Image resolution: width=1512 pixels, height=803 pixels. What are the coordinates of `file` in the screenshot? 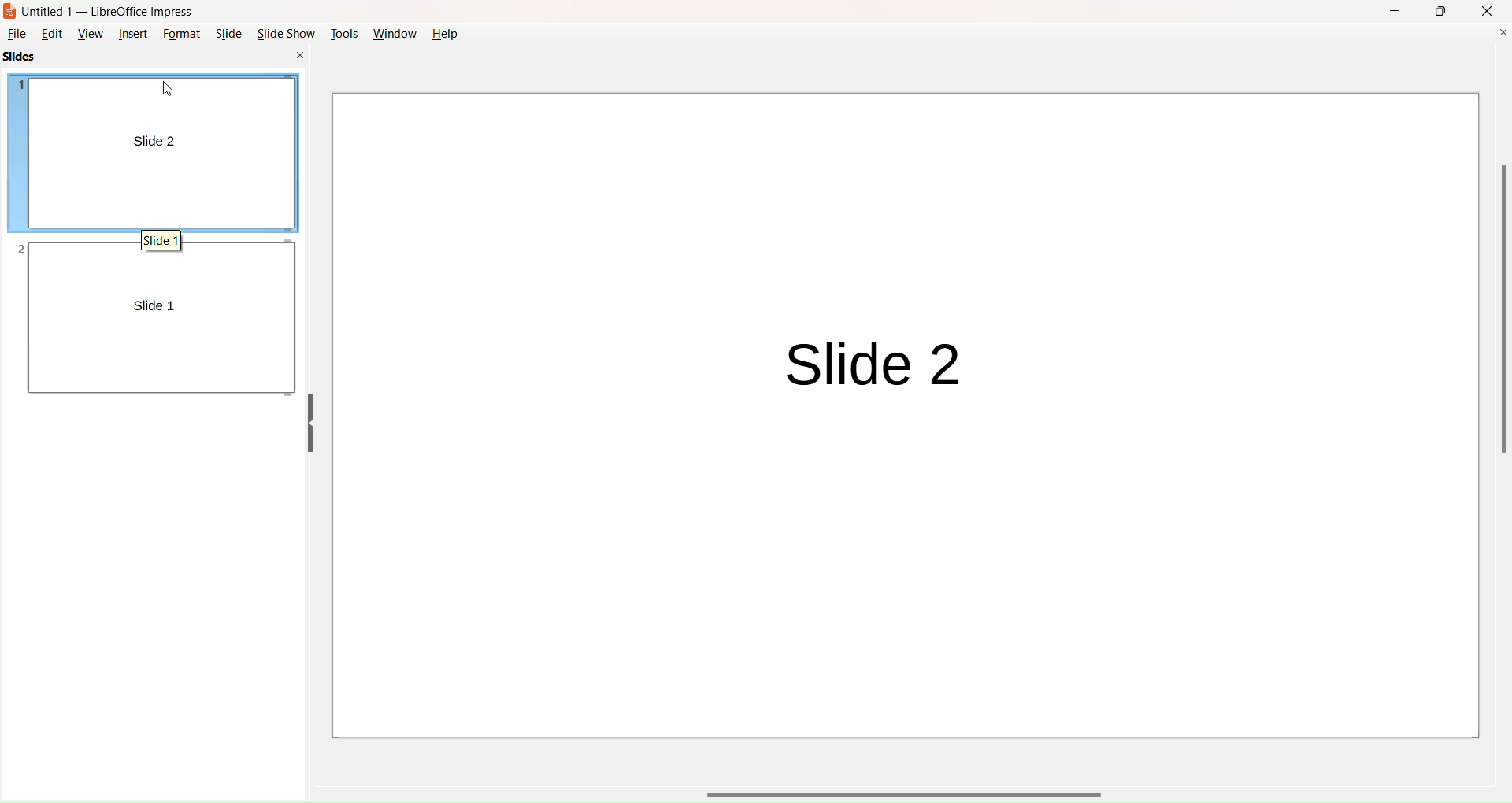 It's located at (18, 33).